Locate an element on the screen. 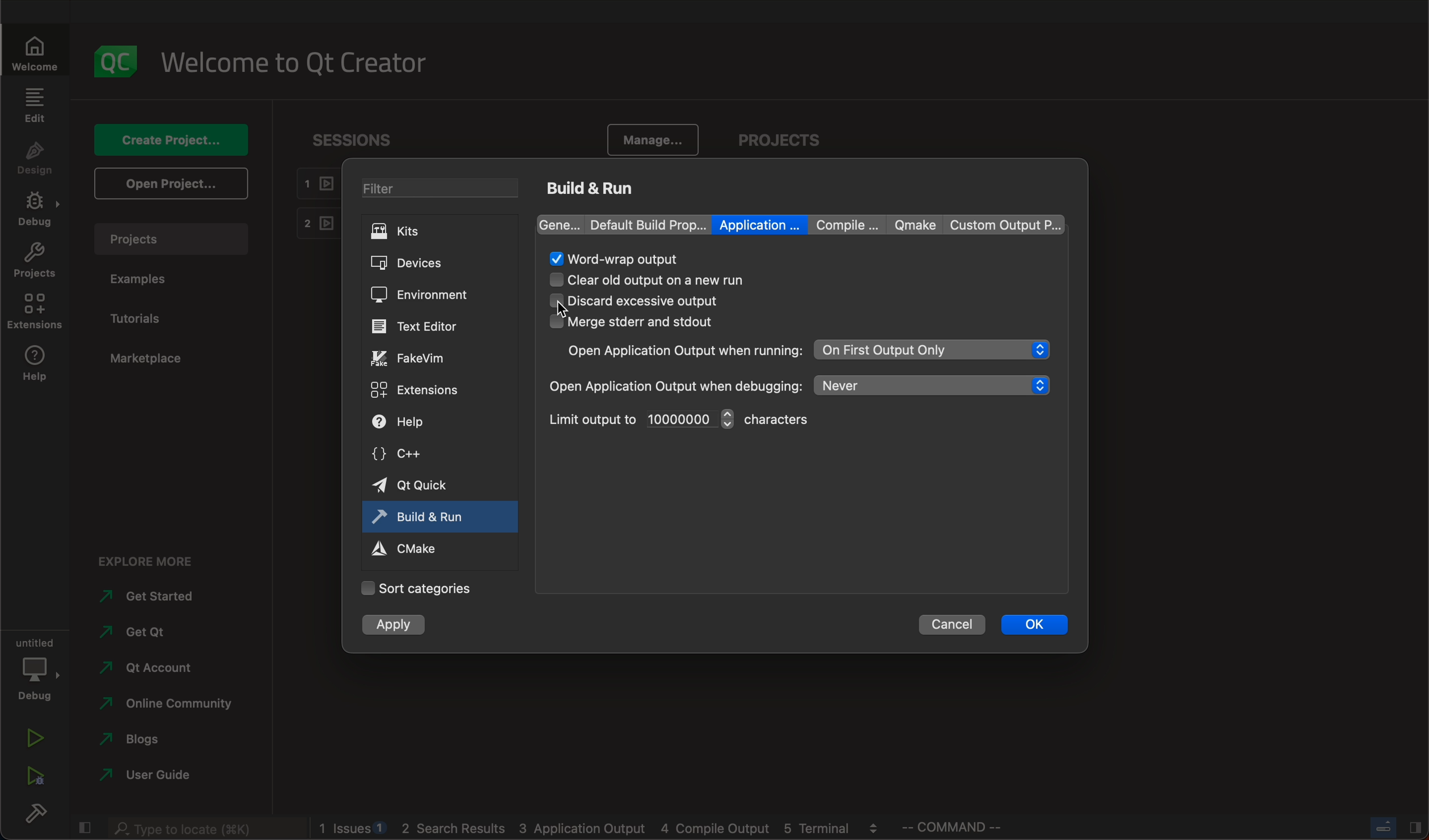  projects is located at coordinates (170, 239).